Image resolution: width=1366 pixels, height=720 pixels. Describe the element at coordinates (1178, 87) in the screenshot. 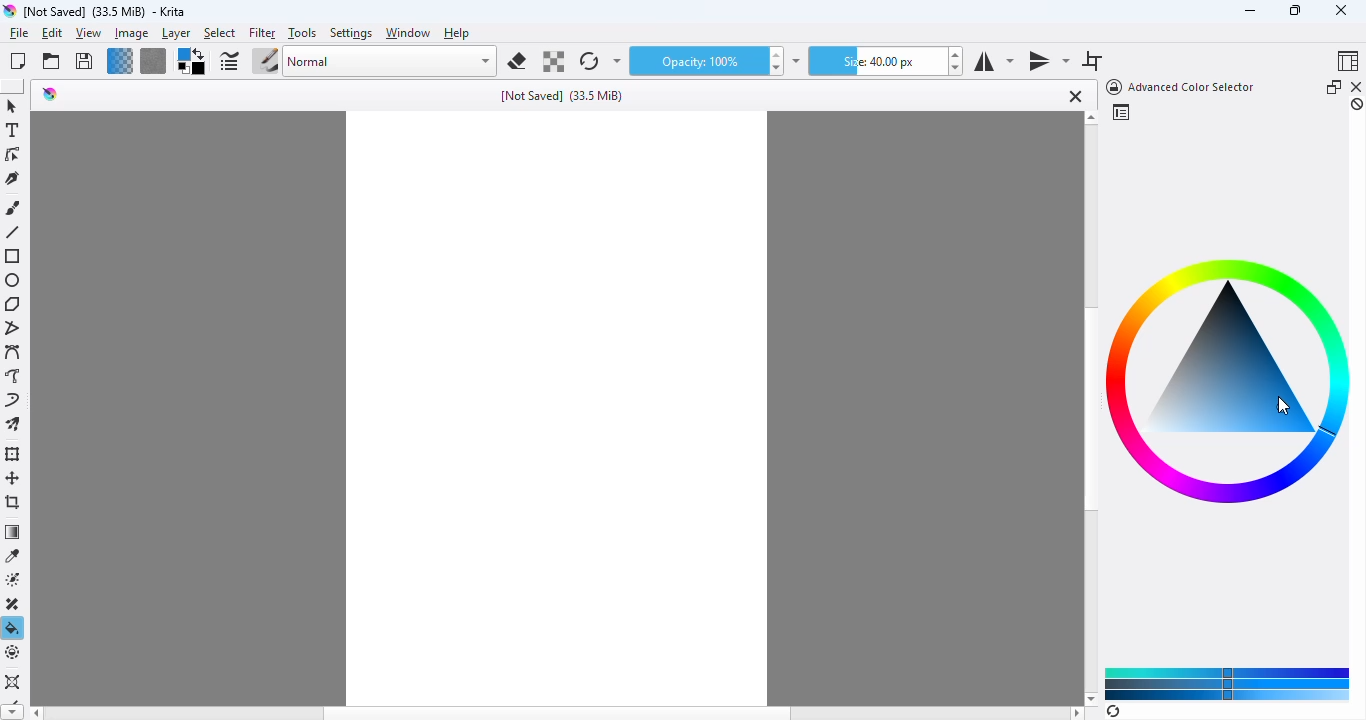

I see `advanced color selector` at that location.